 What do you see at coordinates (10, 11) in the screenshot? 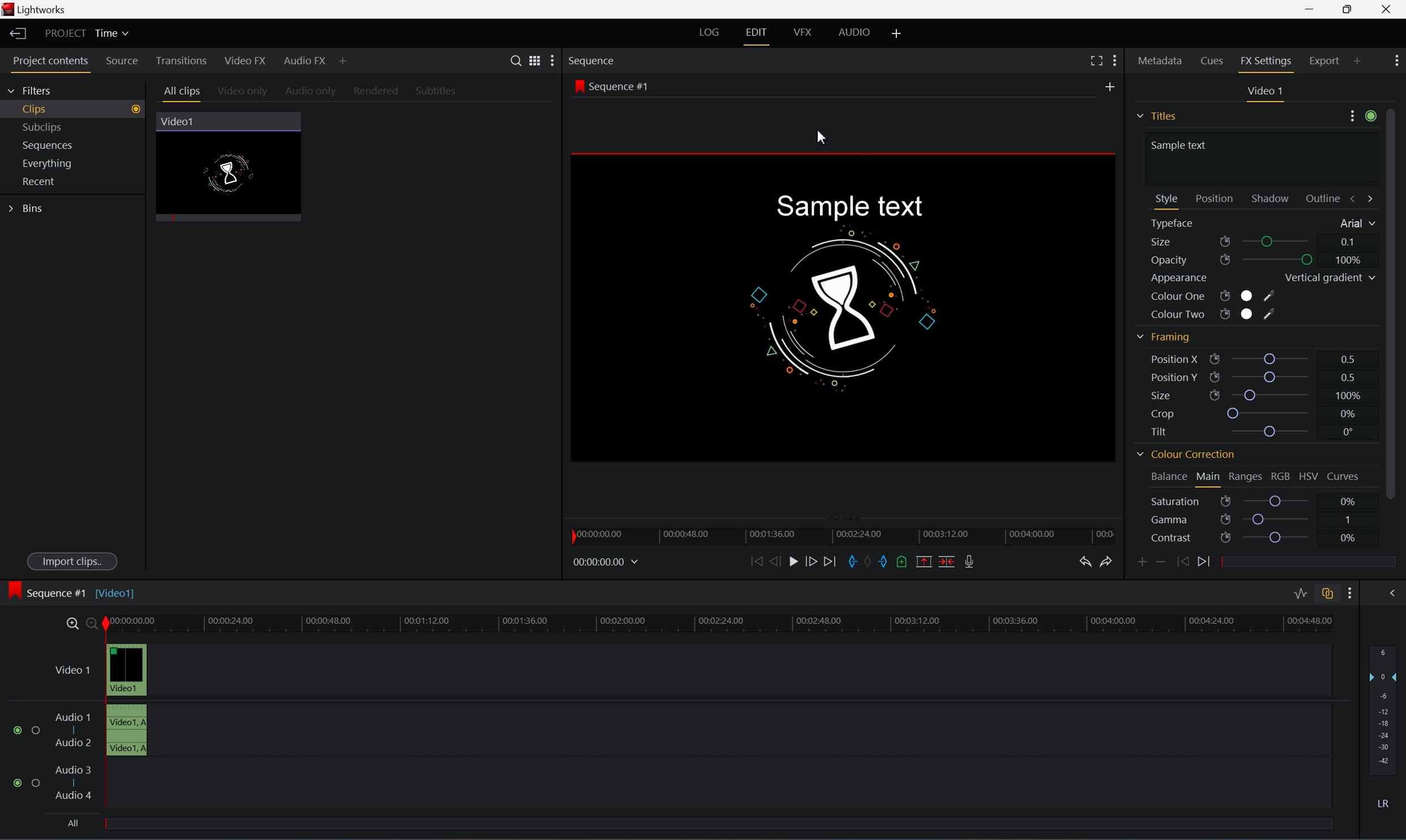
I see `logo` at bounding box center [10, 11].